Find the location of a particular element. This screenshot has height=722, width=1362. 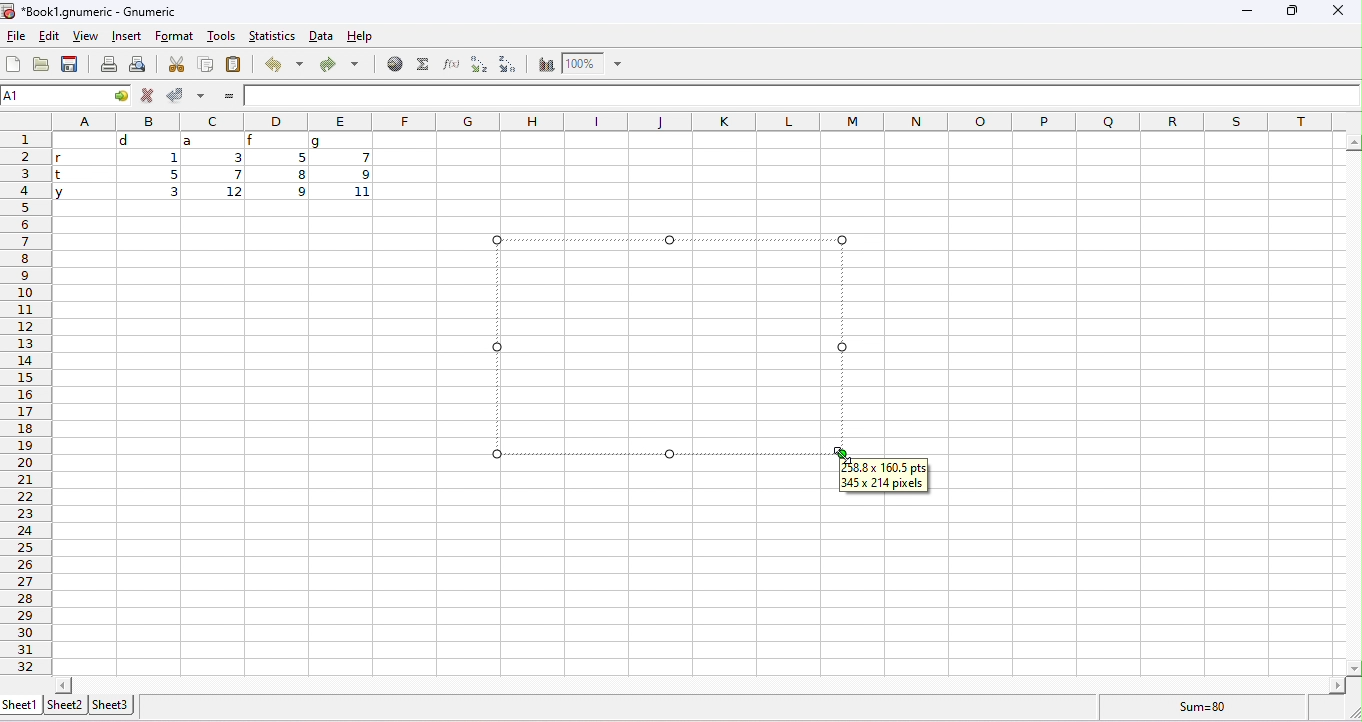

cut is located at coordinates (179, 64).